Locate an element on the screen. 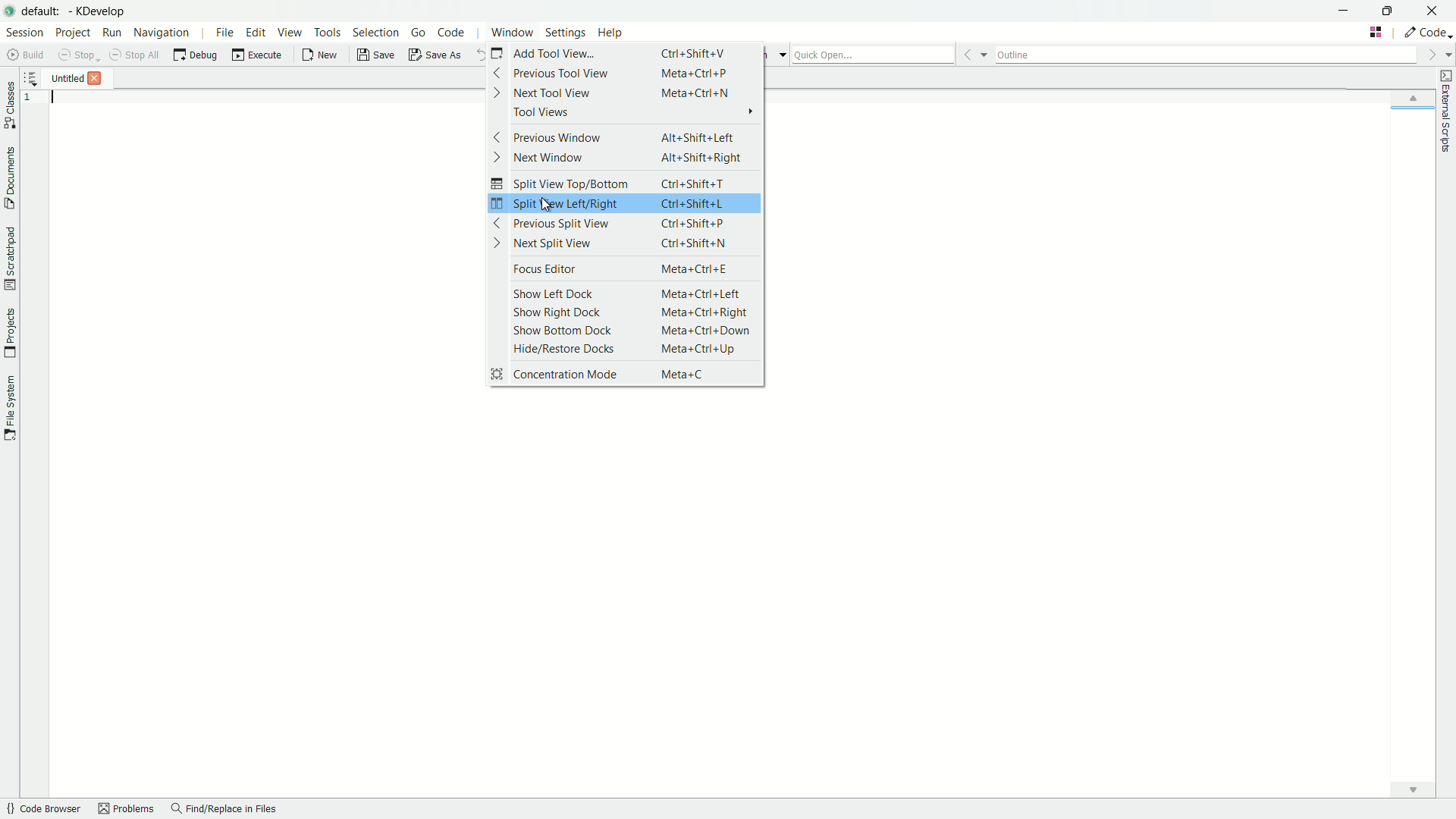 Image resolution: width=1456 pixels, height=819 pixels. code browser is located at coordinates (45, 810).